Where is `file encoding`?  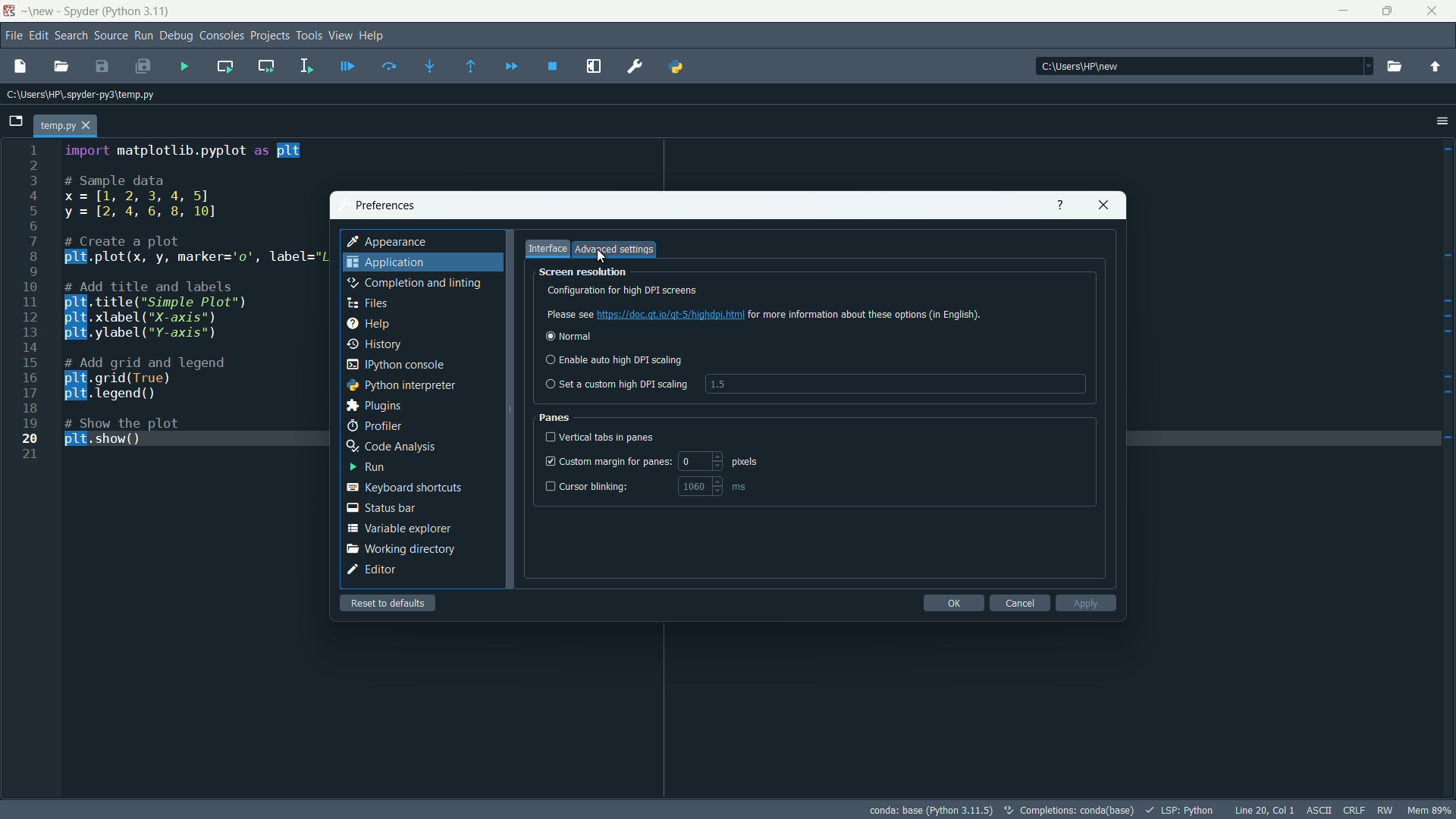 file encoding is located at coordinates (1319, 811).